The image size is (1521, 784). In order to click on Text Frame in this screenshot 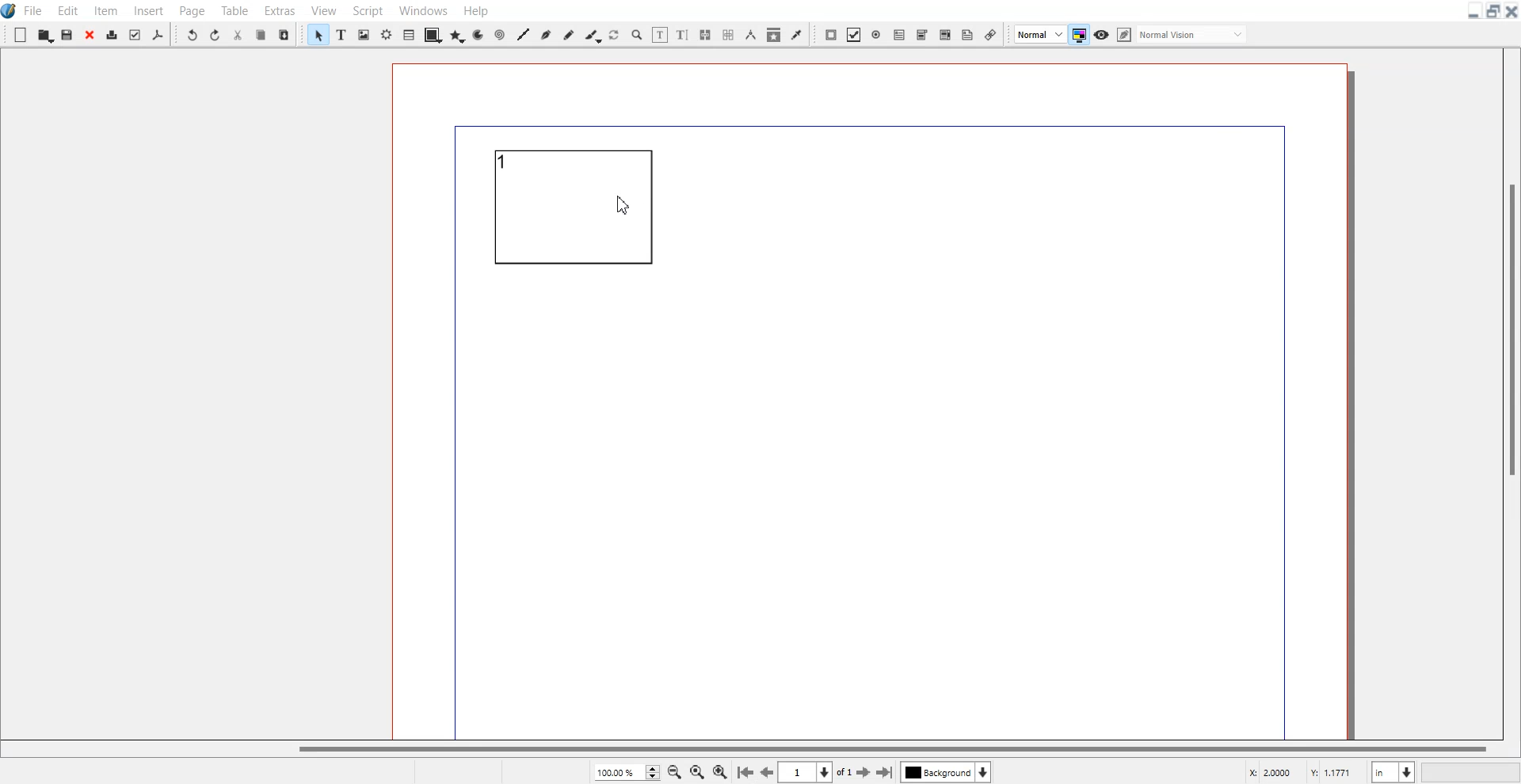, I will do `click(341, 35)`.